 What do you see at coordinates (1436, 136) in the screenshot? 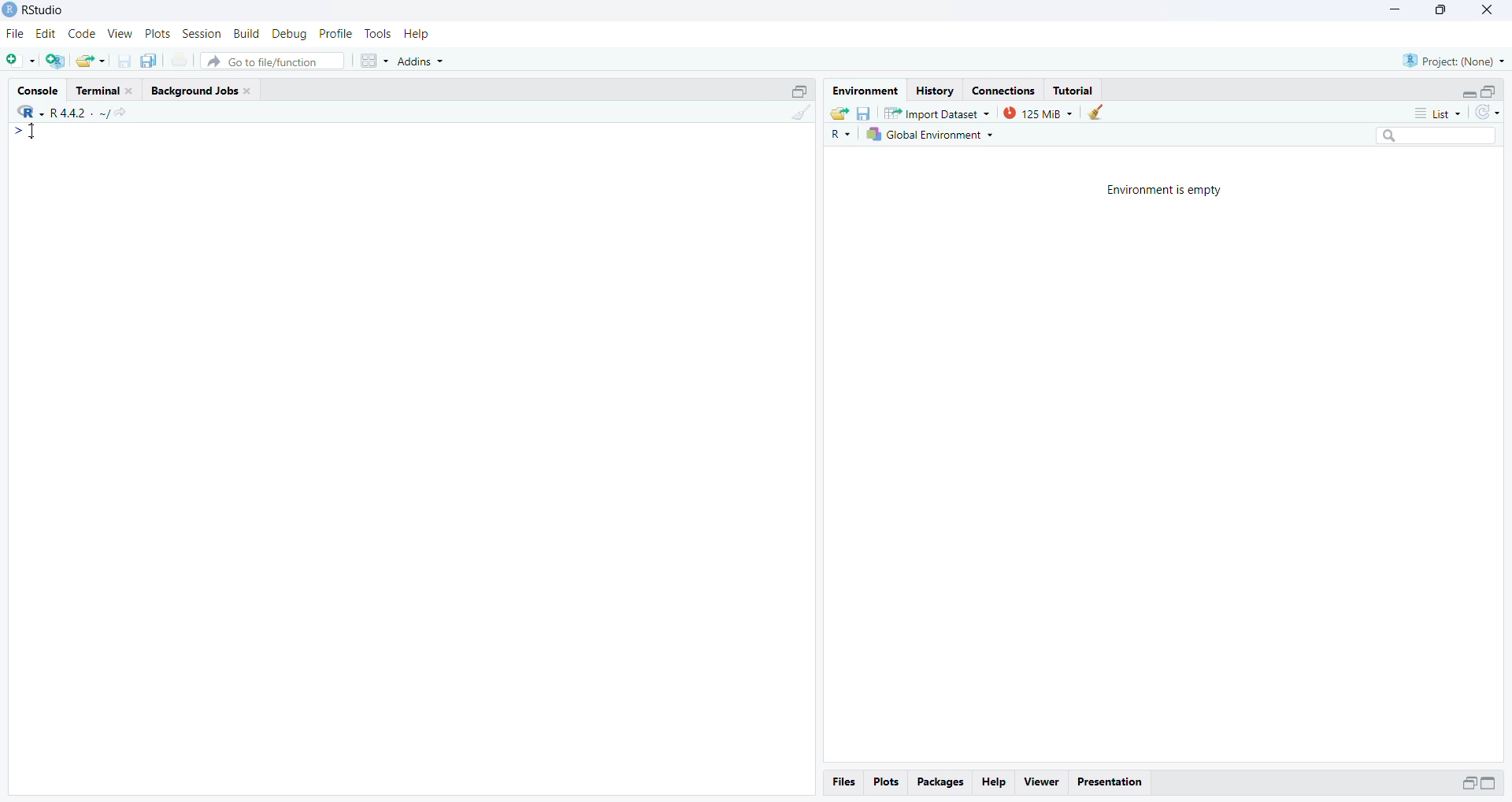
I see `search` at bounding box center [1436, 136].